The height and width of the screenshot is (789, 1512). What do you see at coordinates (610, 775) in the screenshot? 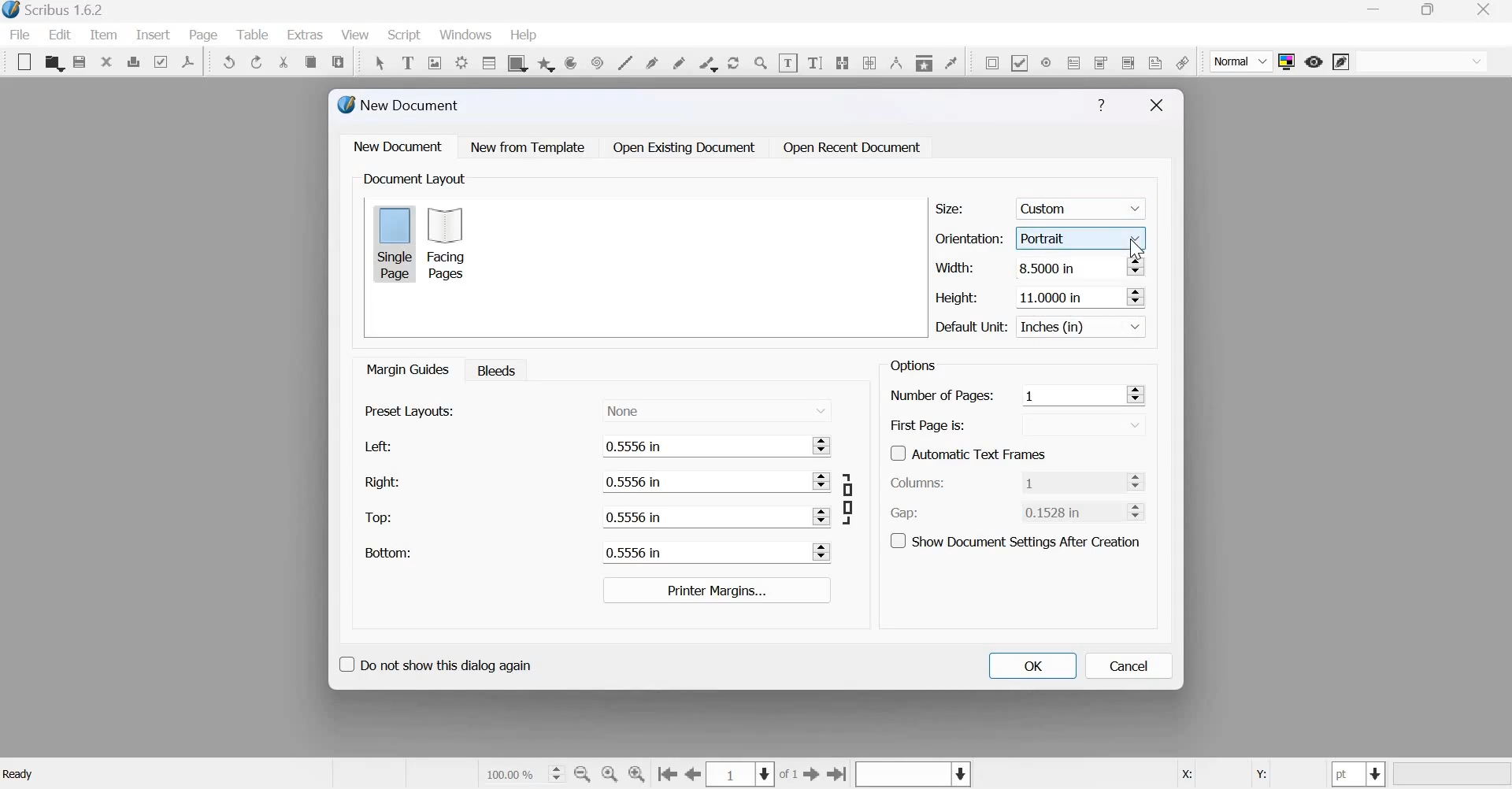
I see `zoom to 100 %` at bounding box center [610, 775].